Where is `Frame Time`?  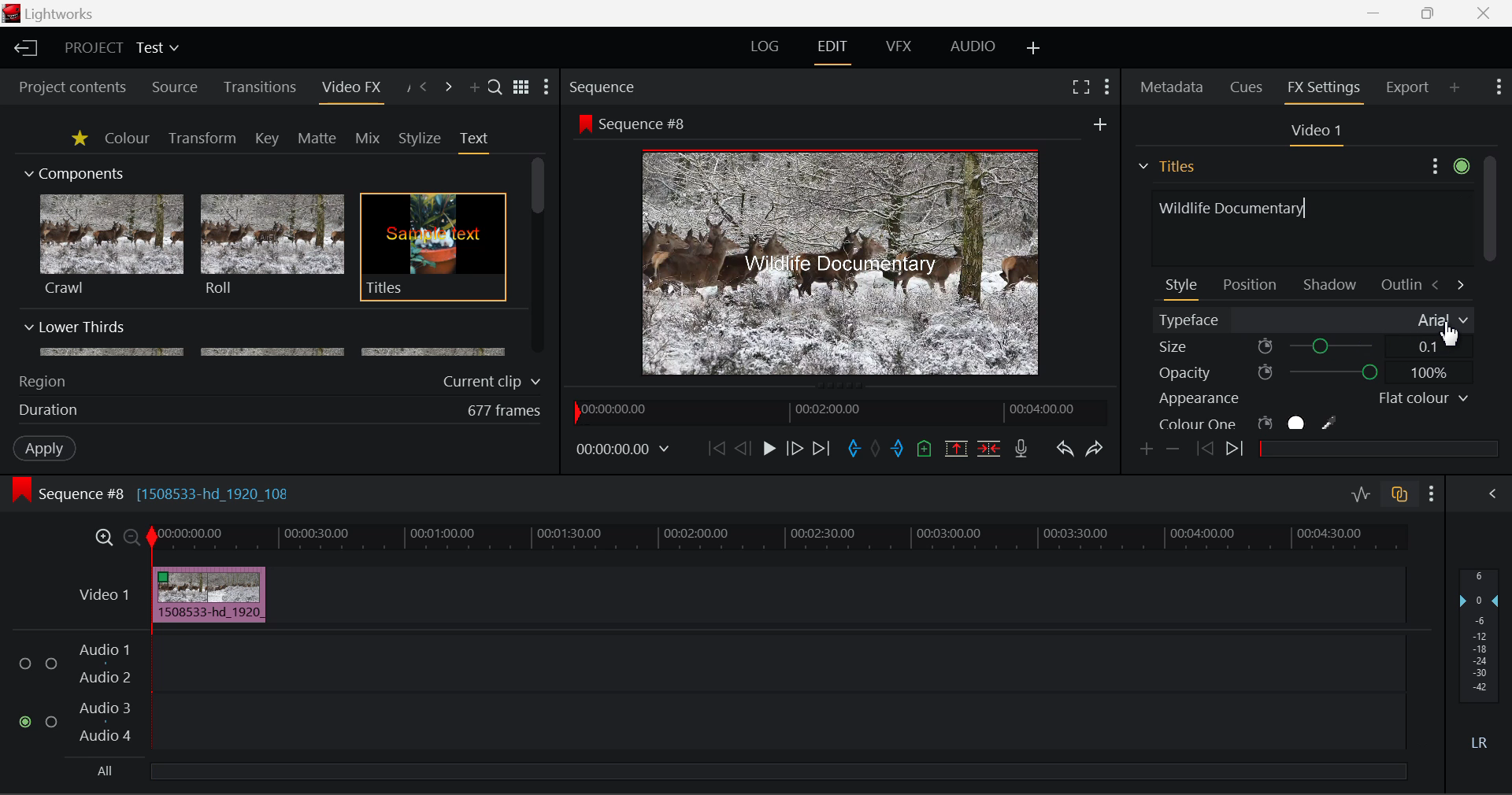
Frame Time is located at coordinates (624, 451).